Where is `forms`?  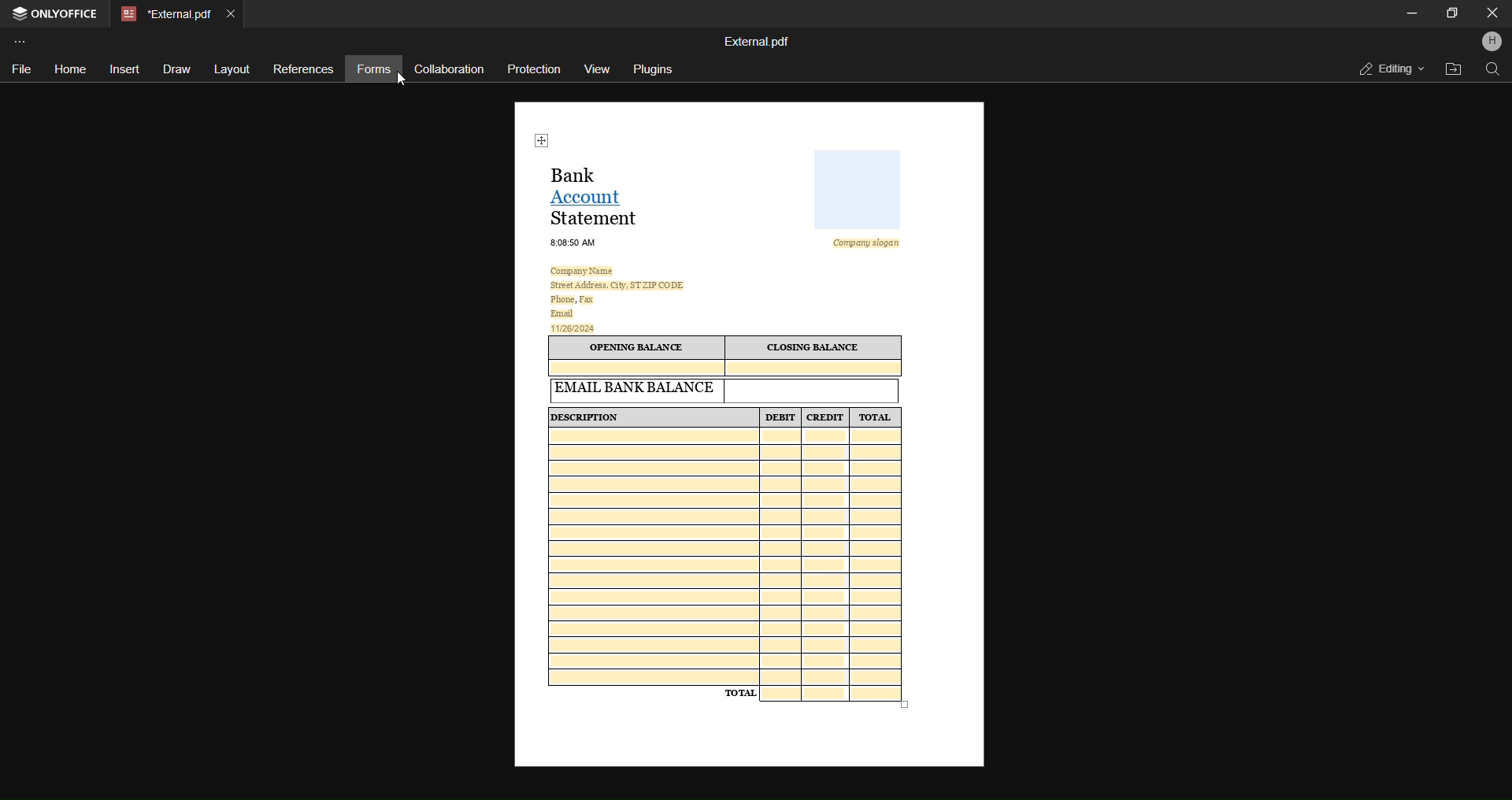 forms is located at coordinates (371, 69).